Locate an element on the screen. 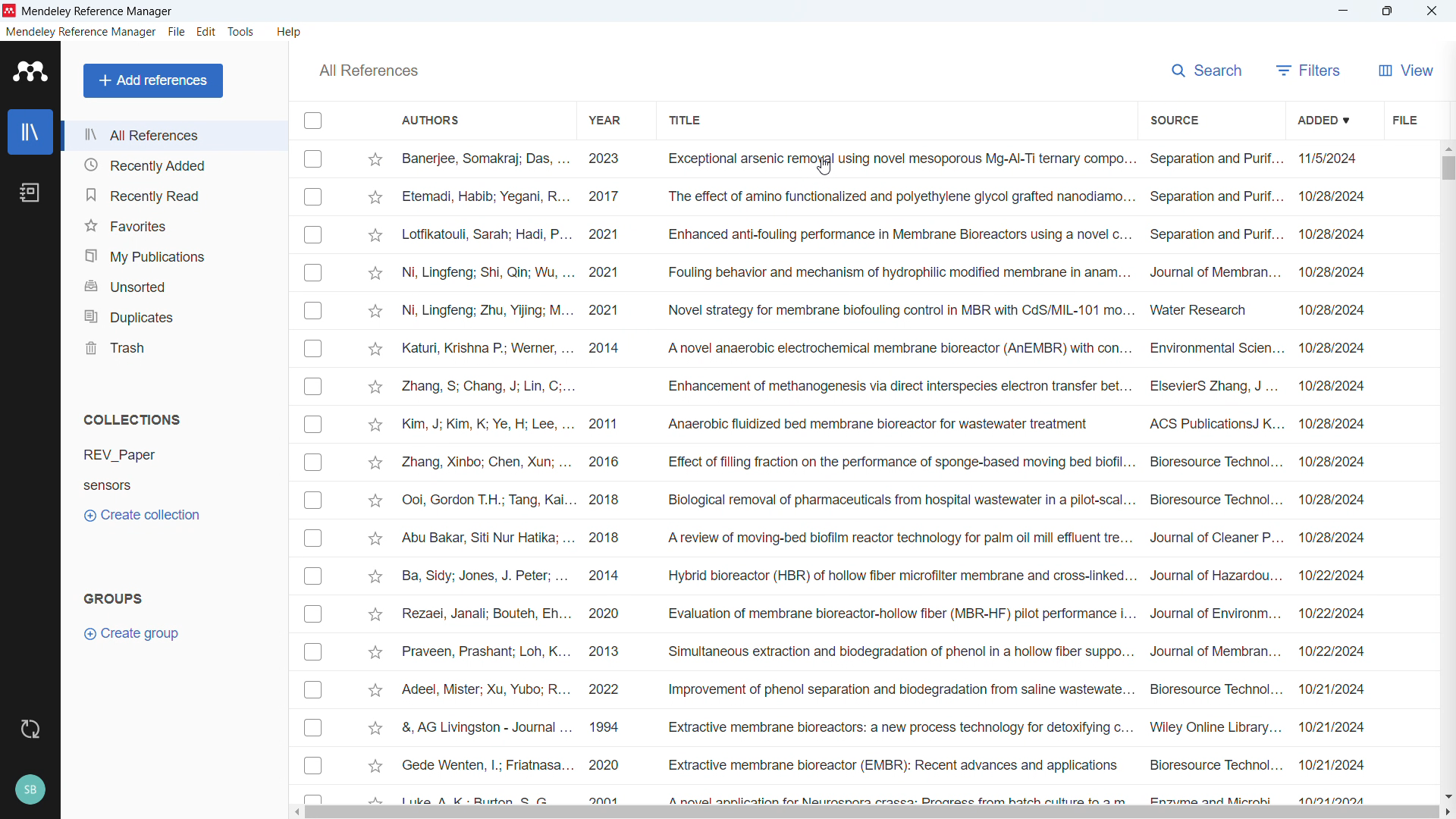 This screenshot has height=819, width=1456. elseviers zhang,j is located at coordinates (1213, 384).